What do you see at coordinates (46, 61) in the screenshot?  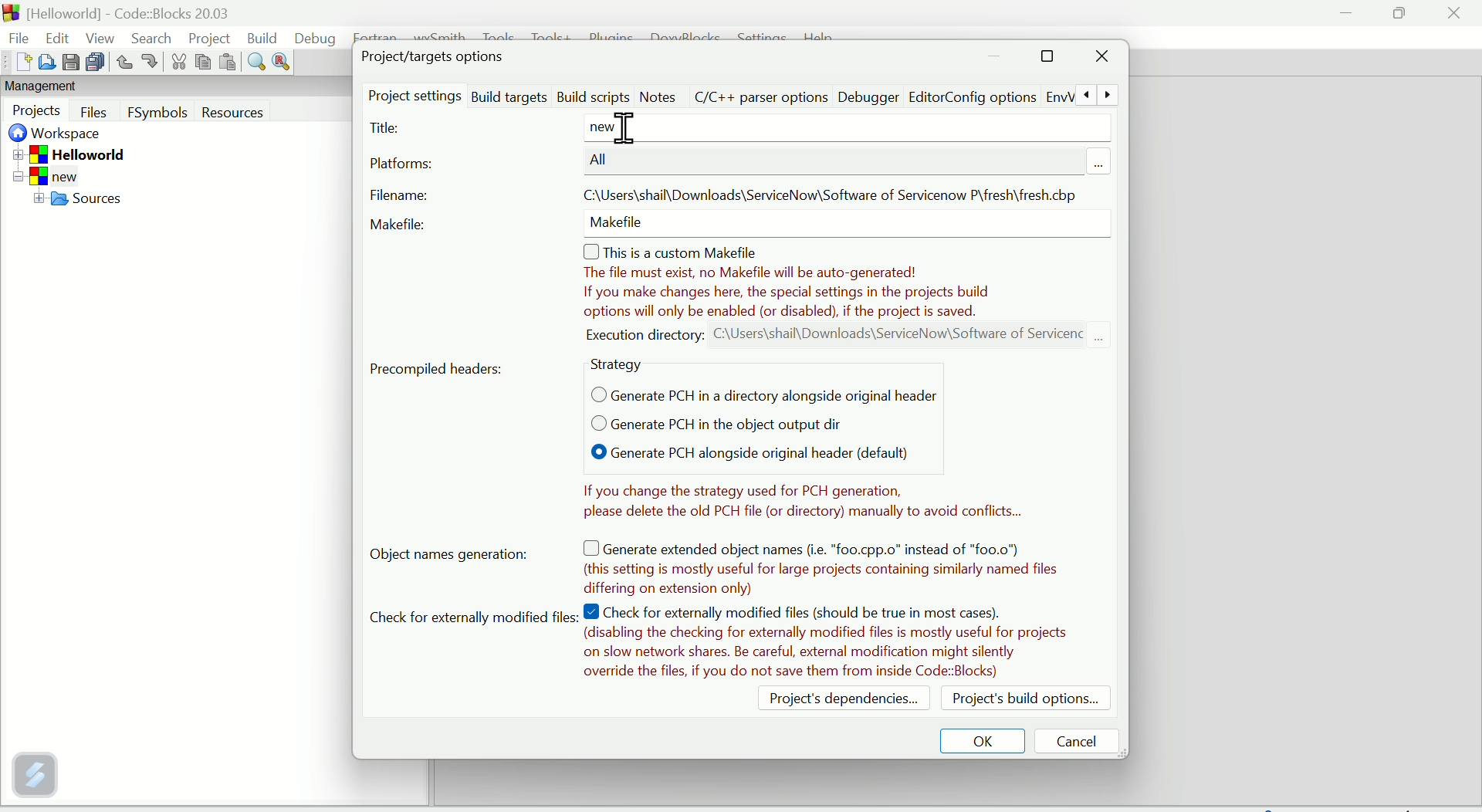 I see `Open` at bounding box center [46, 61].